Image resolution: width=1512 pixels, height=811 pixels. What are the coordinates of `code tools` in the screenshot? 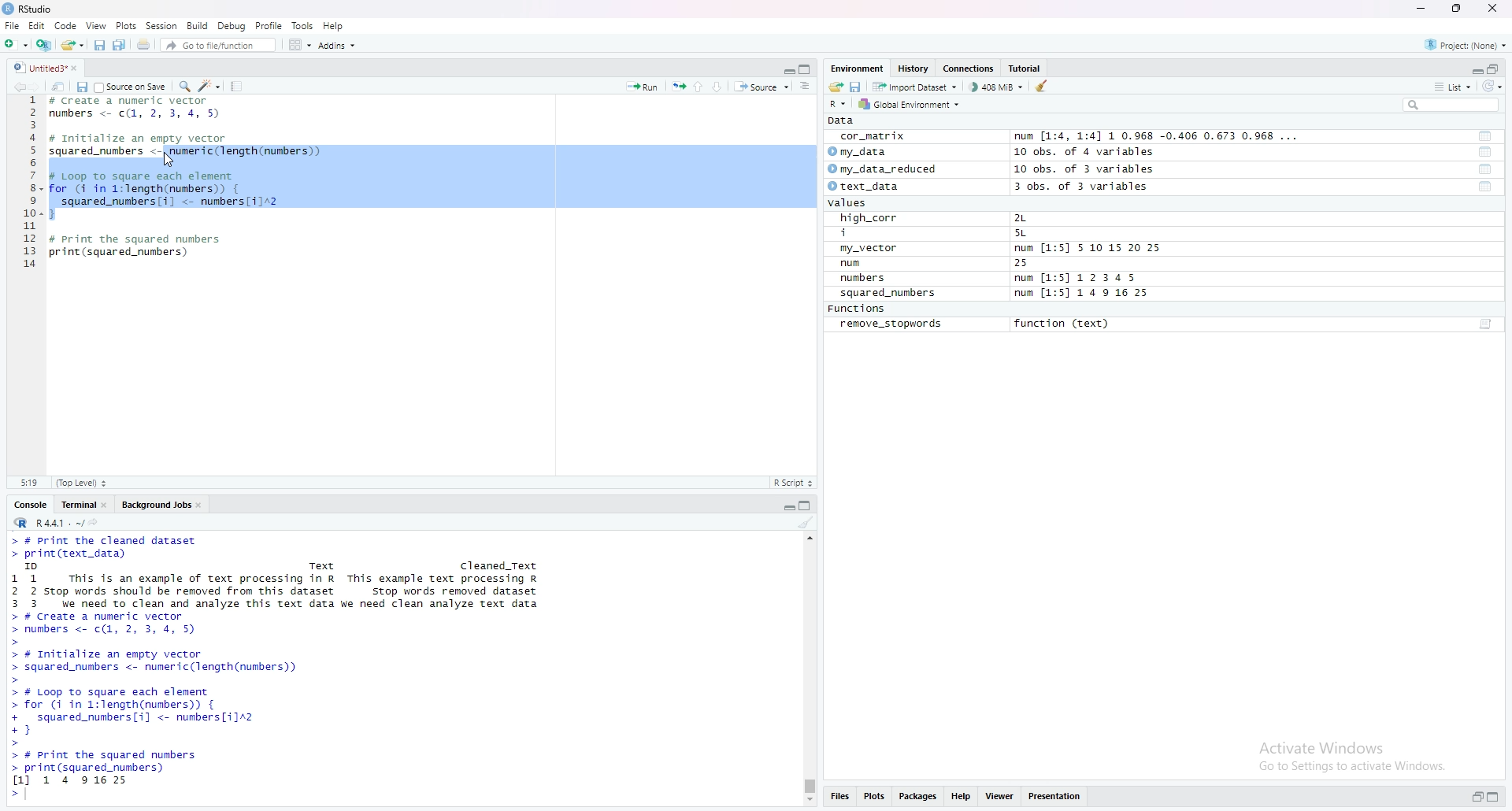 It's located at (209, 85).